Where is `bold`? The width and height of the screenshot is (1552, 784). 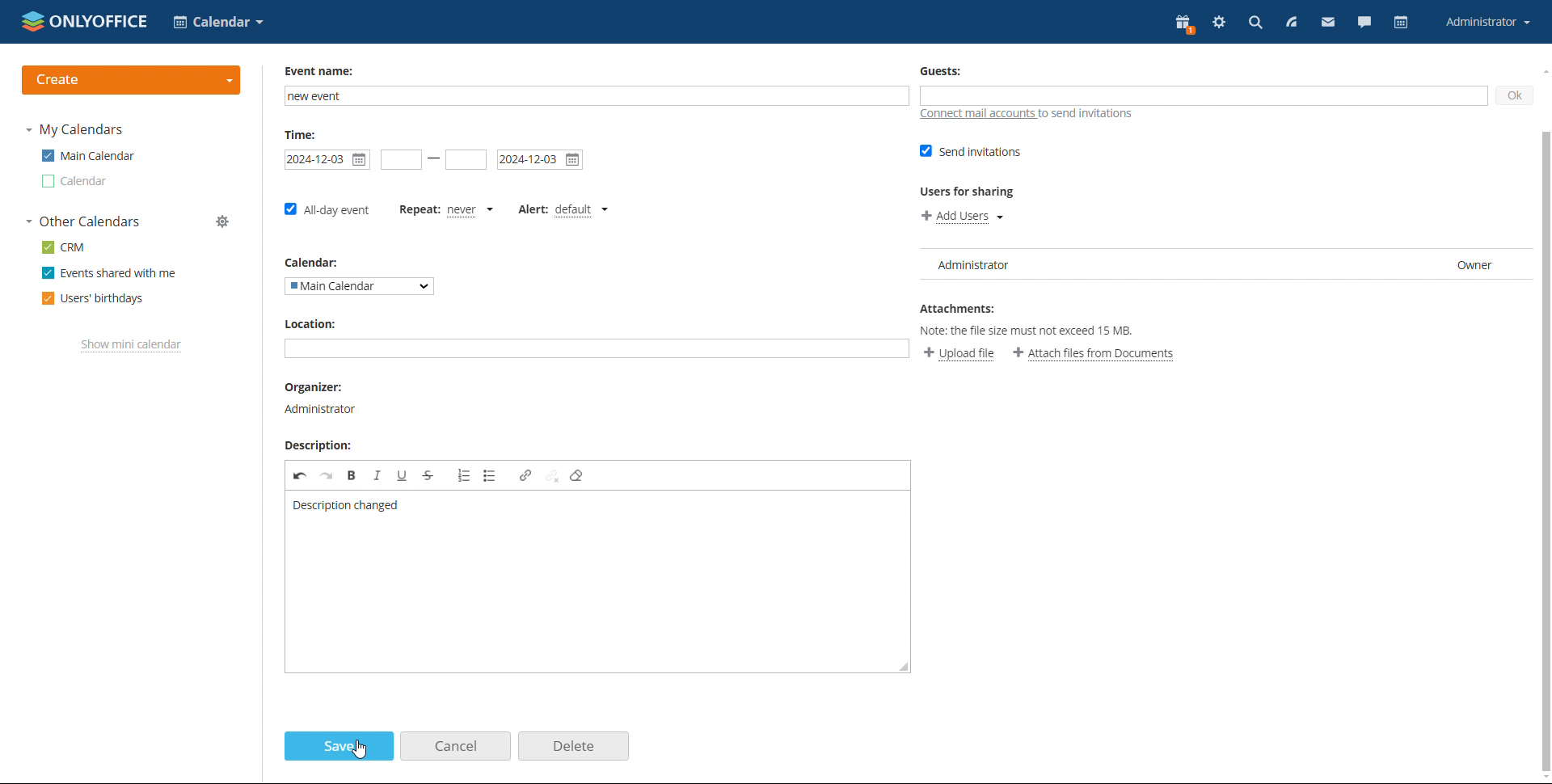 bold is located at coordinates (353, 478).